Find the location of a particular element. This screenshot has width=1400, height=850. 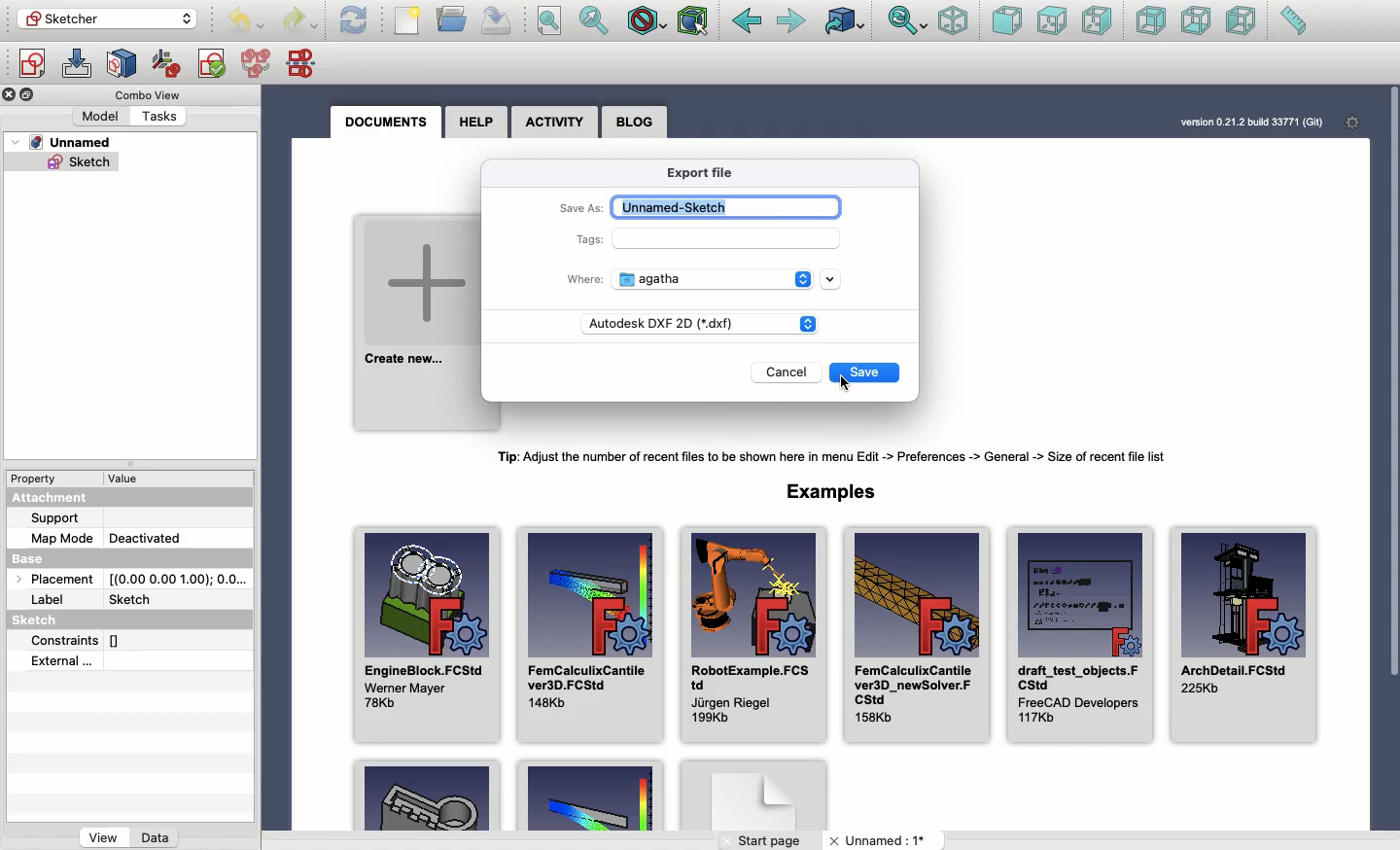

Save is located at coordinates (497, 19).